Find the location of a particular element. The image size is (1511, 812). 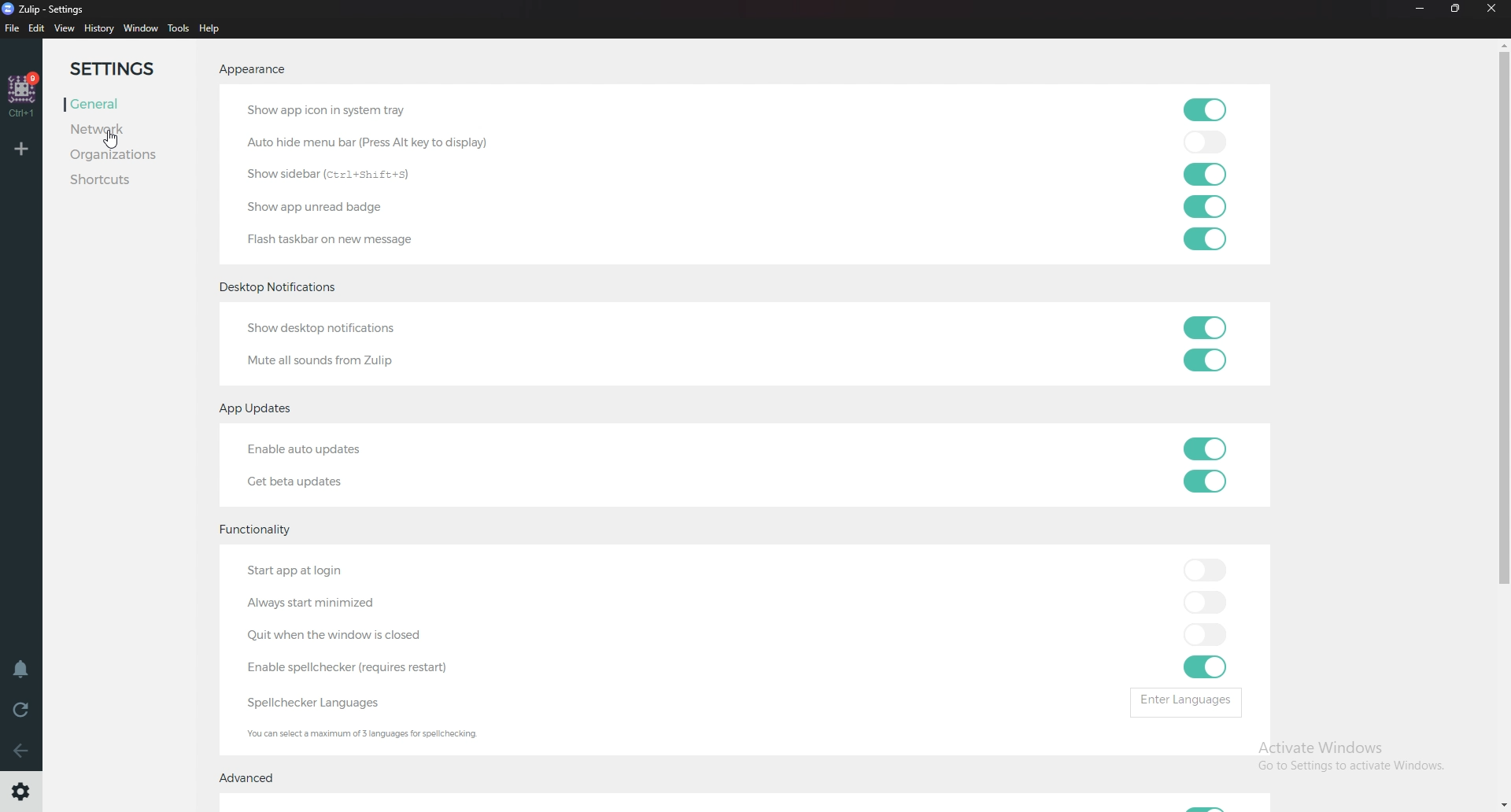

Resize is located at coordinates (1454, 9).